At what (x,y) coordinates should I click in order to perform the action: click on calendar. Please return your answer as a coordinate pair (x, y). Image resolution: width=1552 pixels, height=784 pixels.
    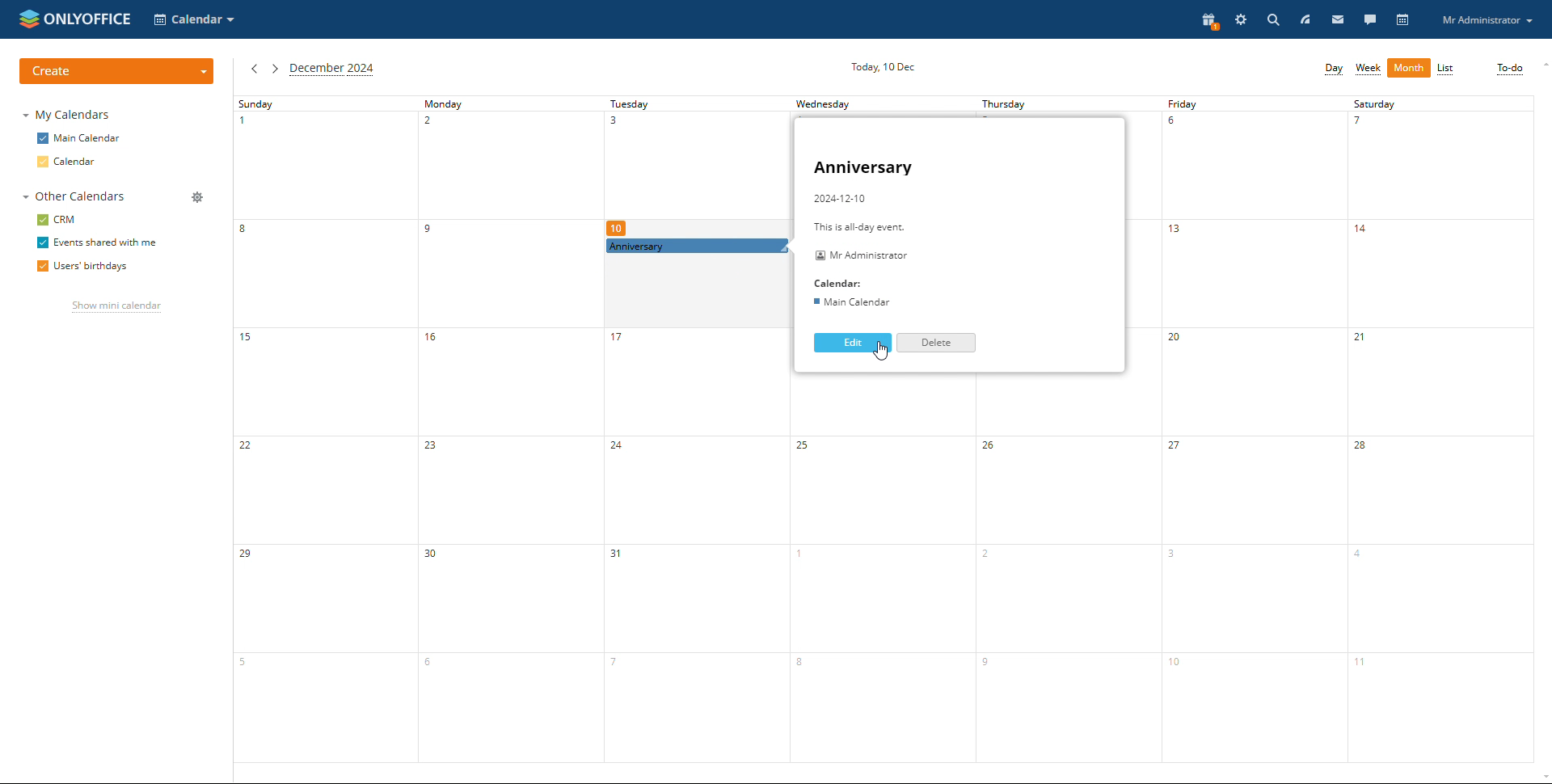
    Looking at the image, I should click on (70, 162).